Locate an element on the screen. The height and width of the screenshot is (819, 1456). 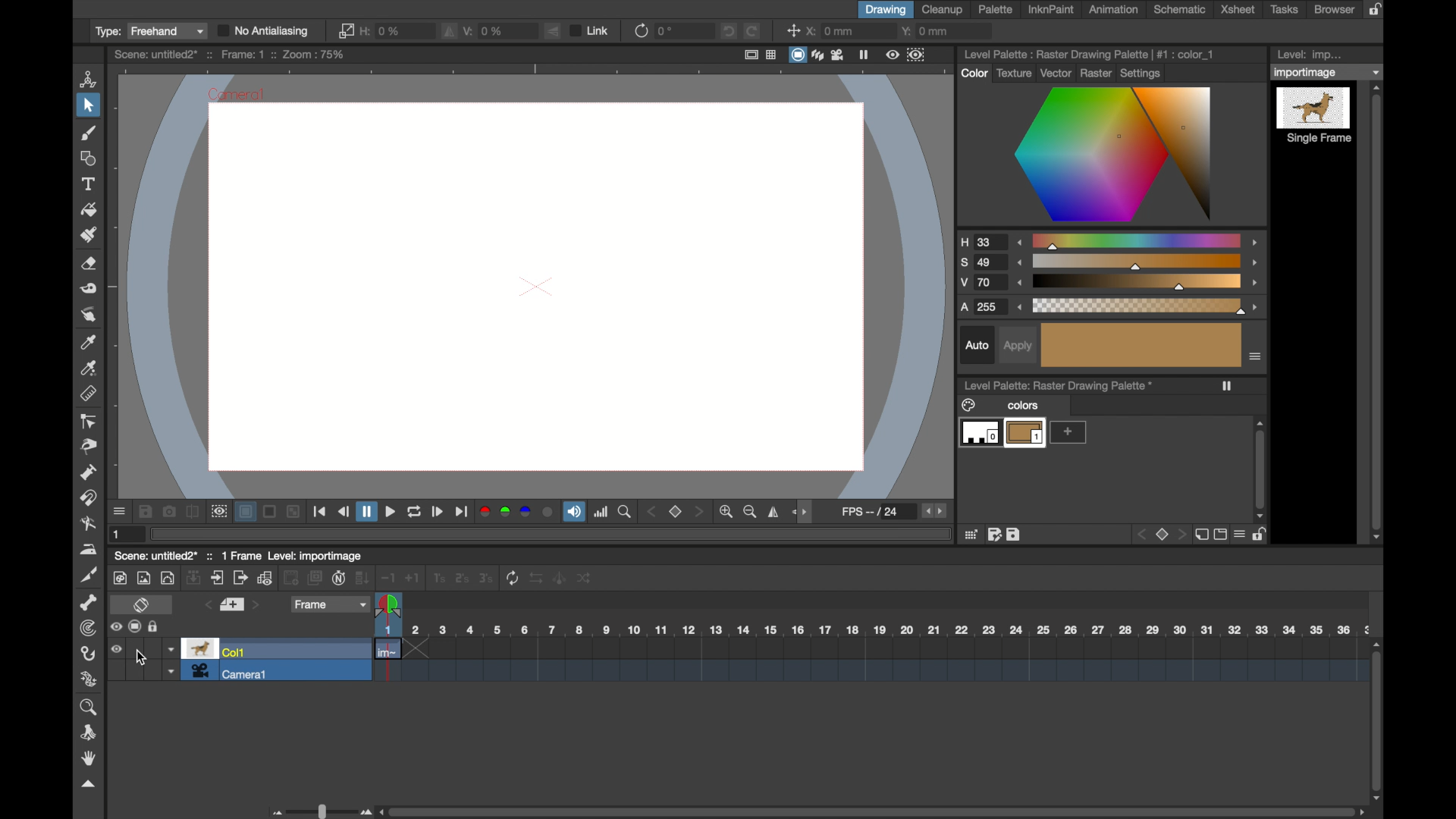
H is located at coordinates (384, 30).